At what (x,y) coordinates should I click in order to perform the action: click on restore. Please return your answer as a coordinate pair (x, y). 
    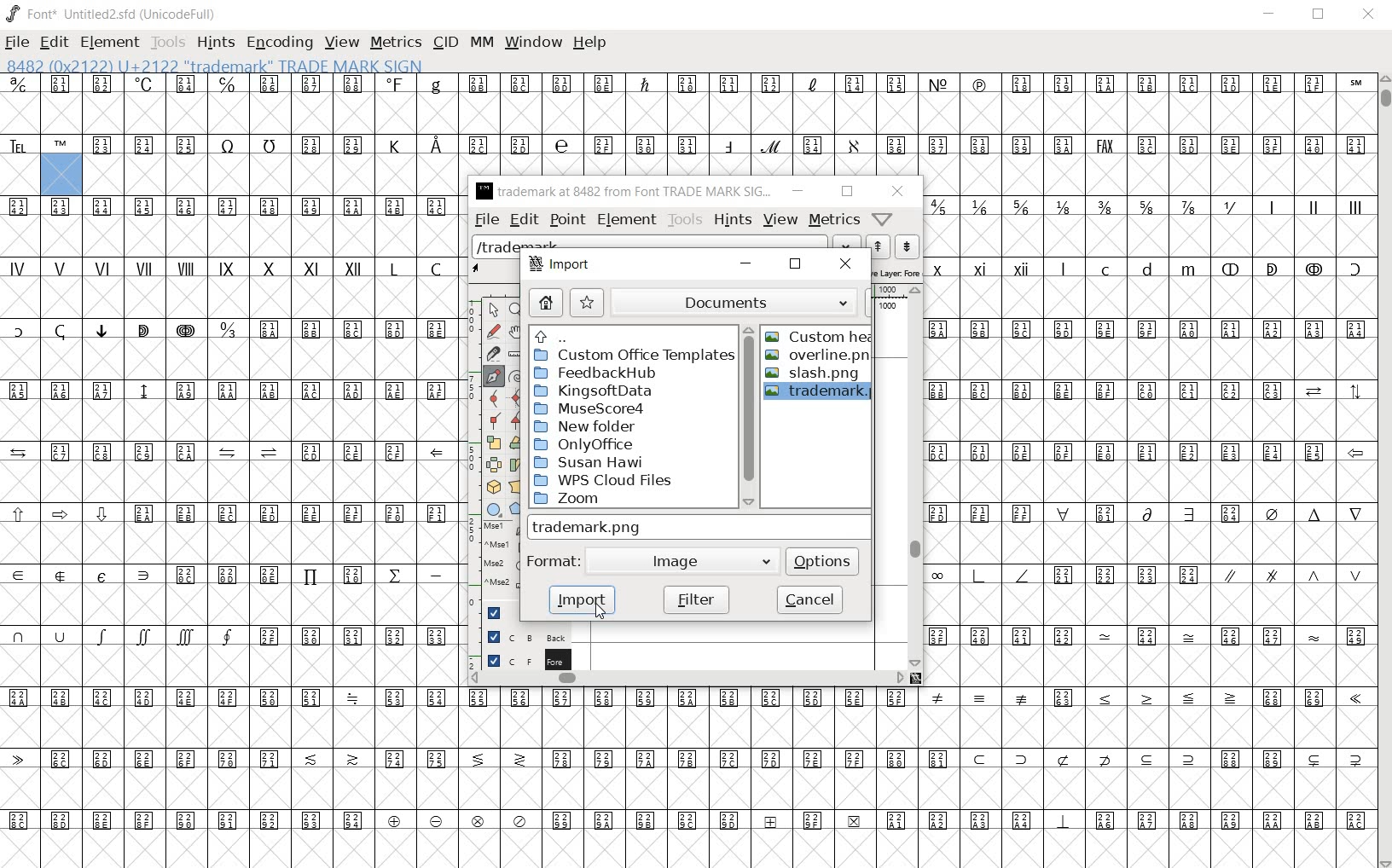
    Looking at the image, I should click on (848, 192).